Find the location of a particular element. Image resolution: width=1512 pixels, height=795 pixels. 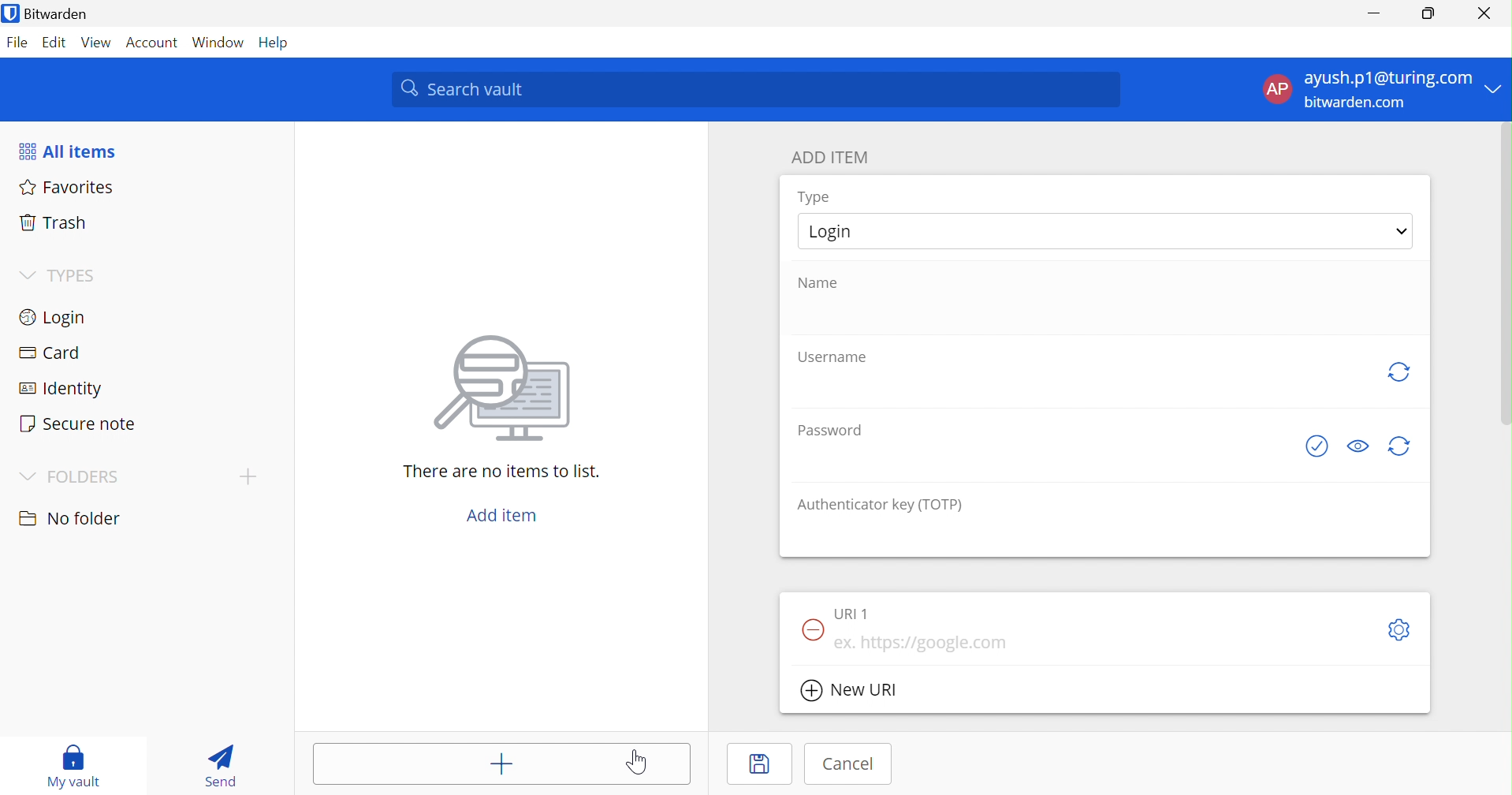

Search Vault is located at coordinates (757, 89).